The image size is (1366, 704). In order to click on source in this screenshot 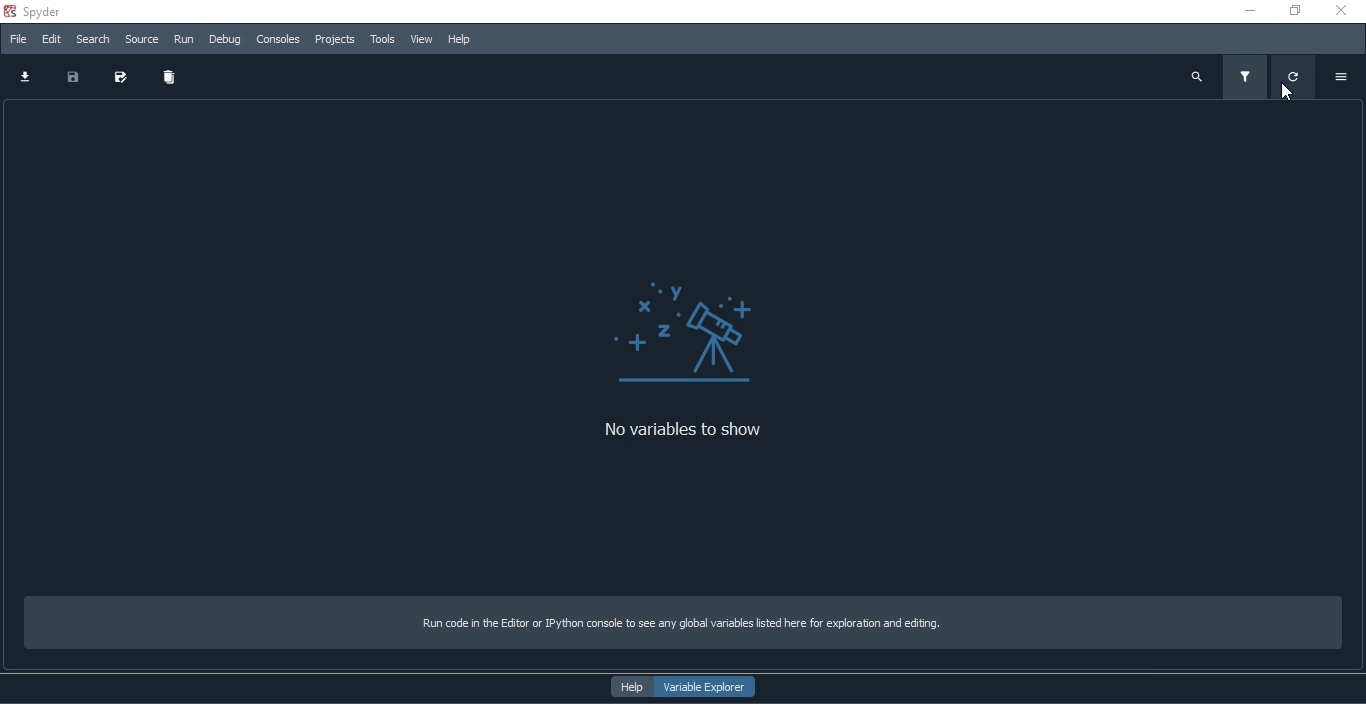, I will do `click(142, 41)`.